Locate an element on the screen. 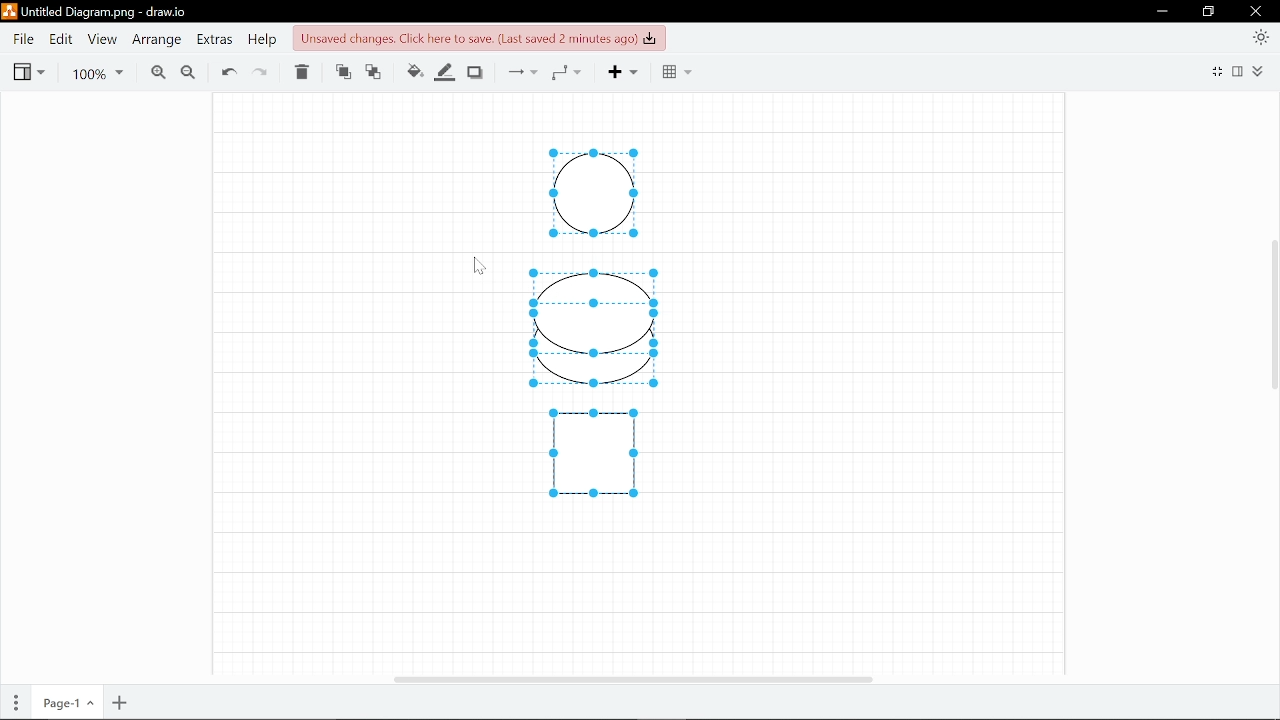  Diagram is located at coordinates (593, 375).